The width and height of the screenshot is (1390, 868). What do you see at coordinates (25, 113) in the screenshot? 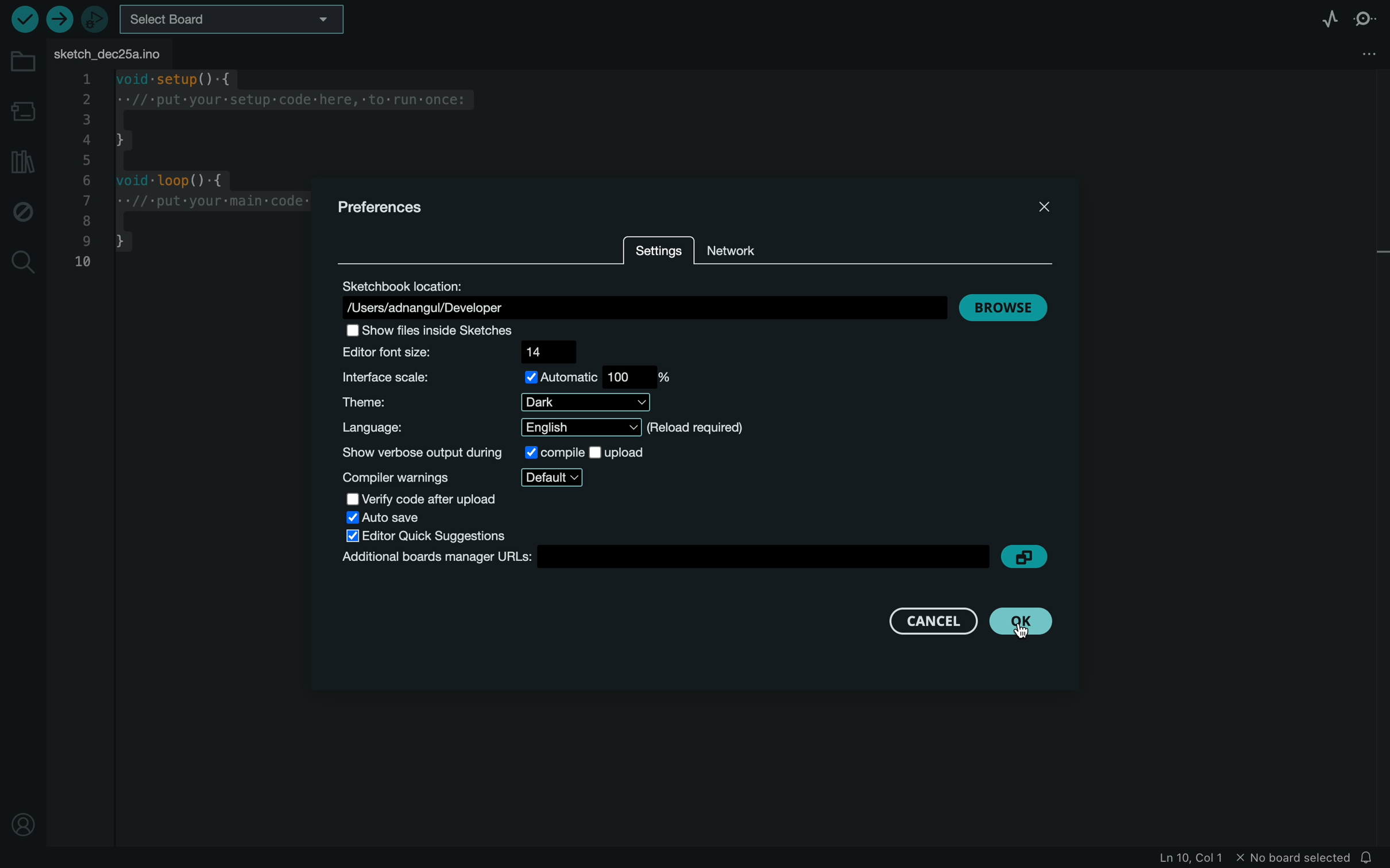
I see `board  manager` at bounding box center [25, 113].